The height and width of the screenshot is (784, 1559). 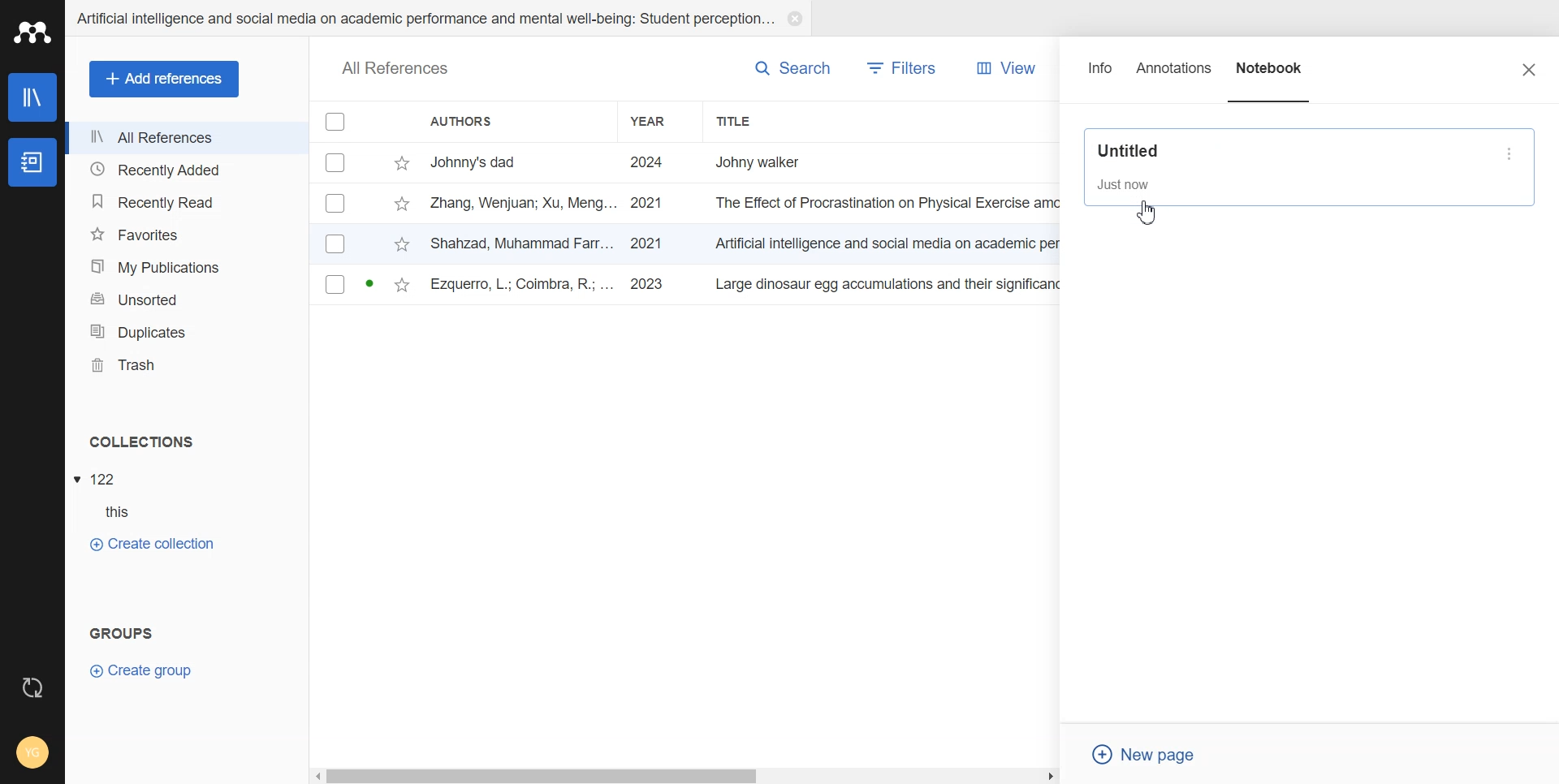 What do you see at coordinates (336, 203) in the screenshot?
I see `Checkbox` at bounding box center [336, 203].